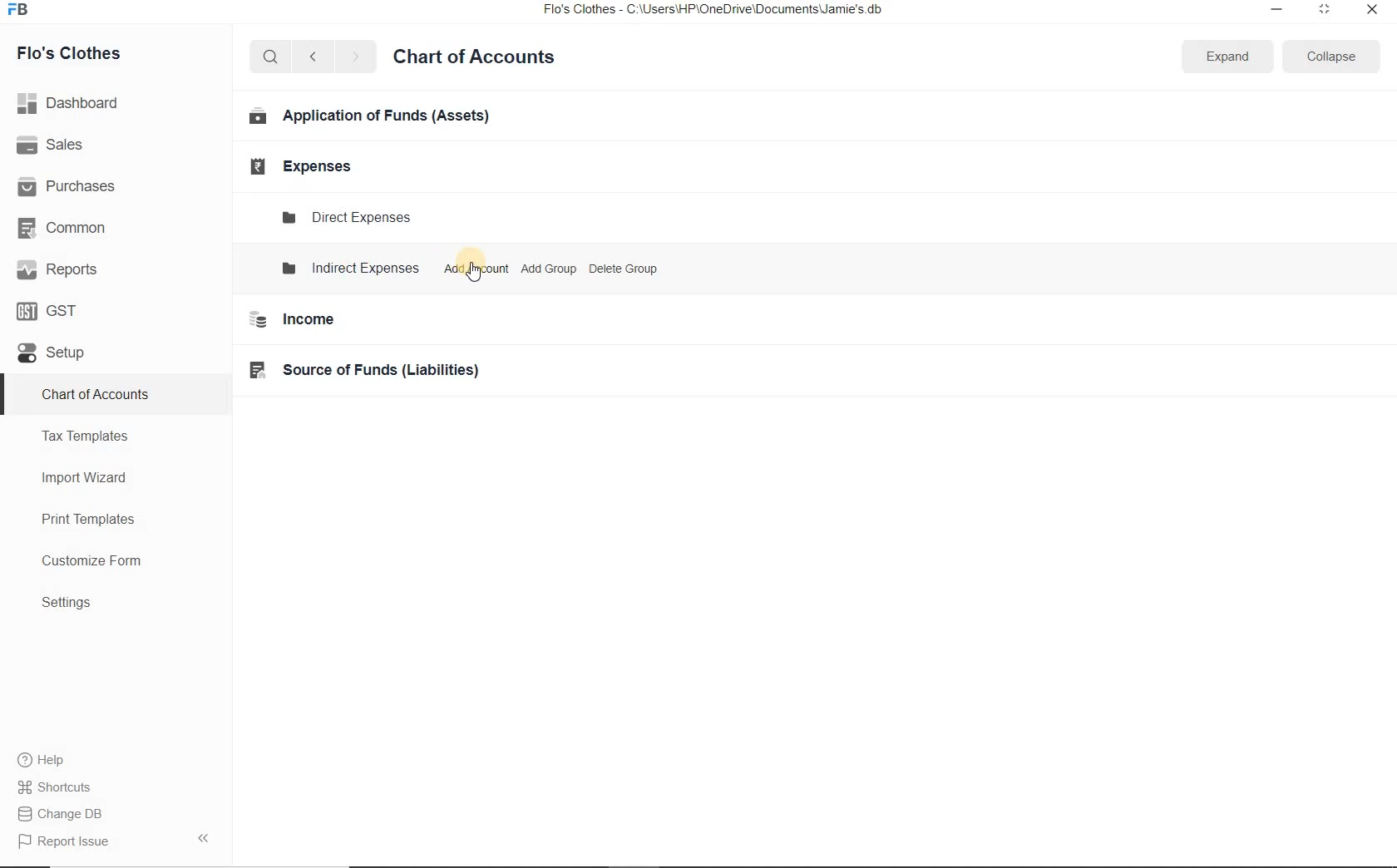  Describe the element at coordinates (348, 270) in the screenshot. I see `Indirect expenses` at that location.